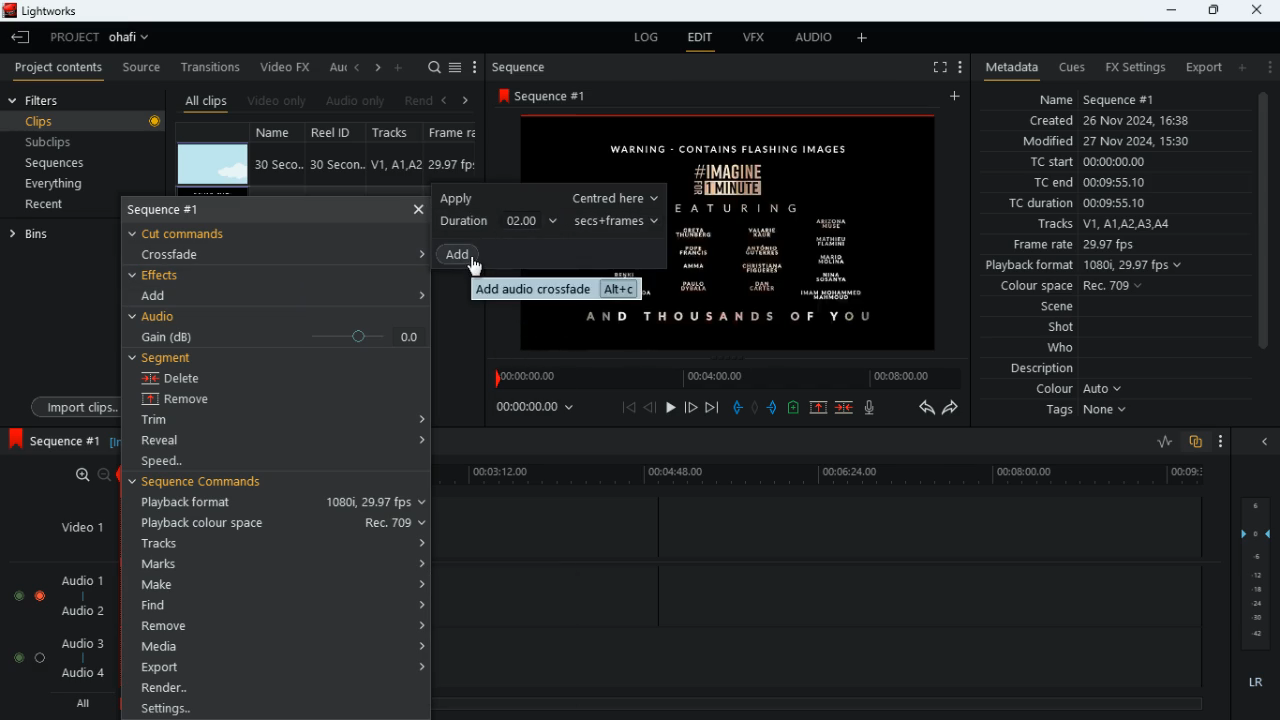 This screenshot has height=720, width=1280. Describe the element at coordinates (819, 702) in the screenshot. I see `timeline` at that location.